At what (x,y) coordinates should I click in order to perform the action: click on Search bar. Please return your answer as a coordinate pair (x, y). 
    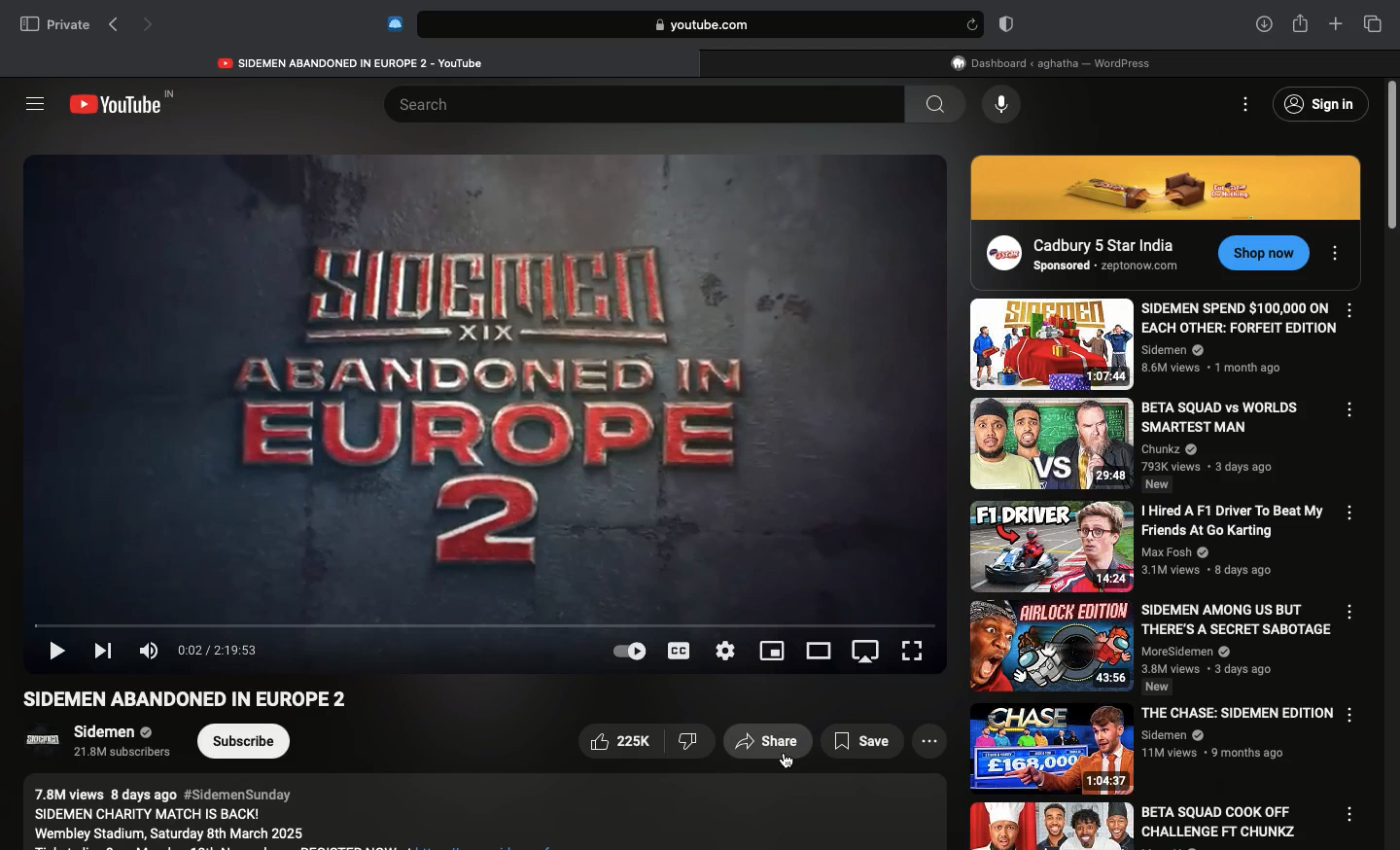
    Looking at the image, I should click on (682, 24).